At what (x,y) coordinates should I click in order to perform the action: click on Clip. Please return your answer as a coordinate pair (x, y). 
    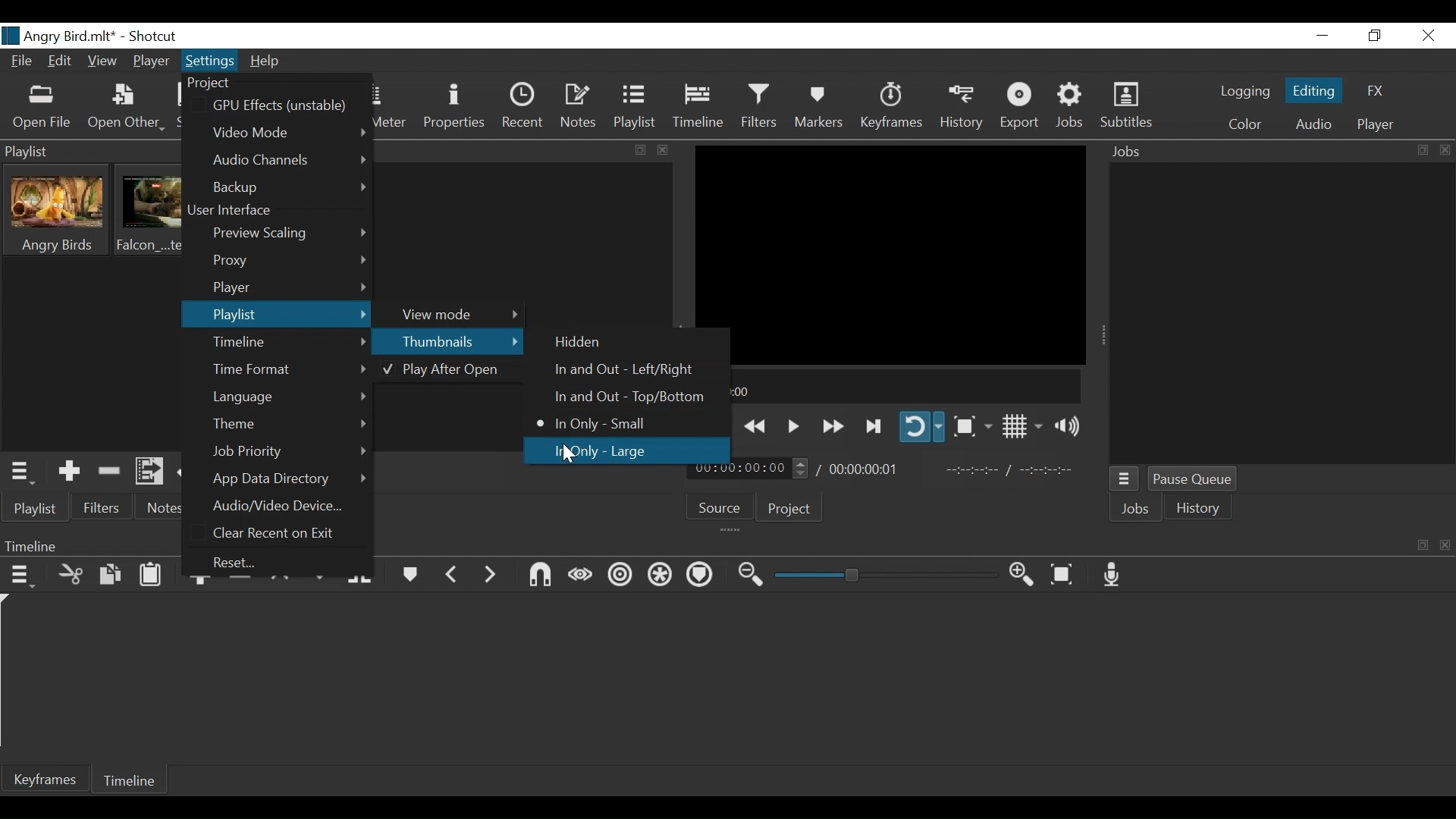
    Looking at the image, I should click on (152, 210).